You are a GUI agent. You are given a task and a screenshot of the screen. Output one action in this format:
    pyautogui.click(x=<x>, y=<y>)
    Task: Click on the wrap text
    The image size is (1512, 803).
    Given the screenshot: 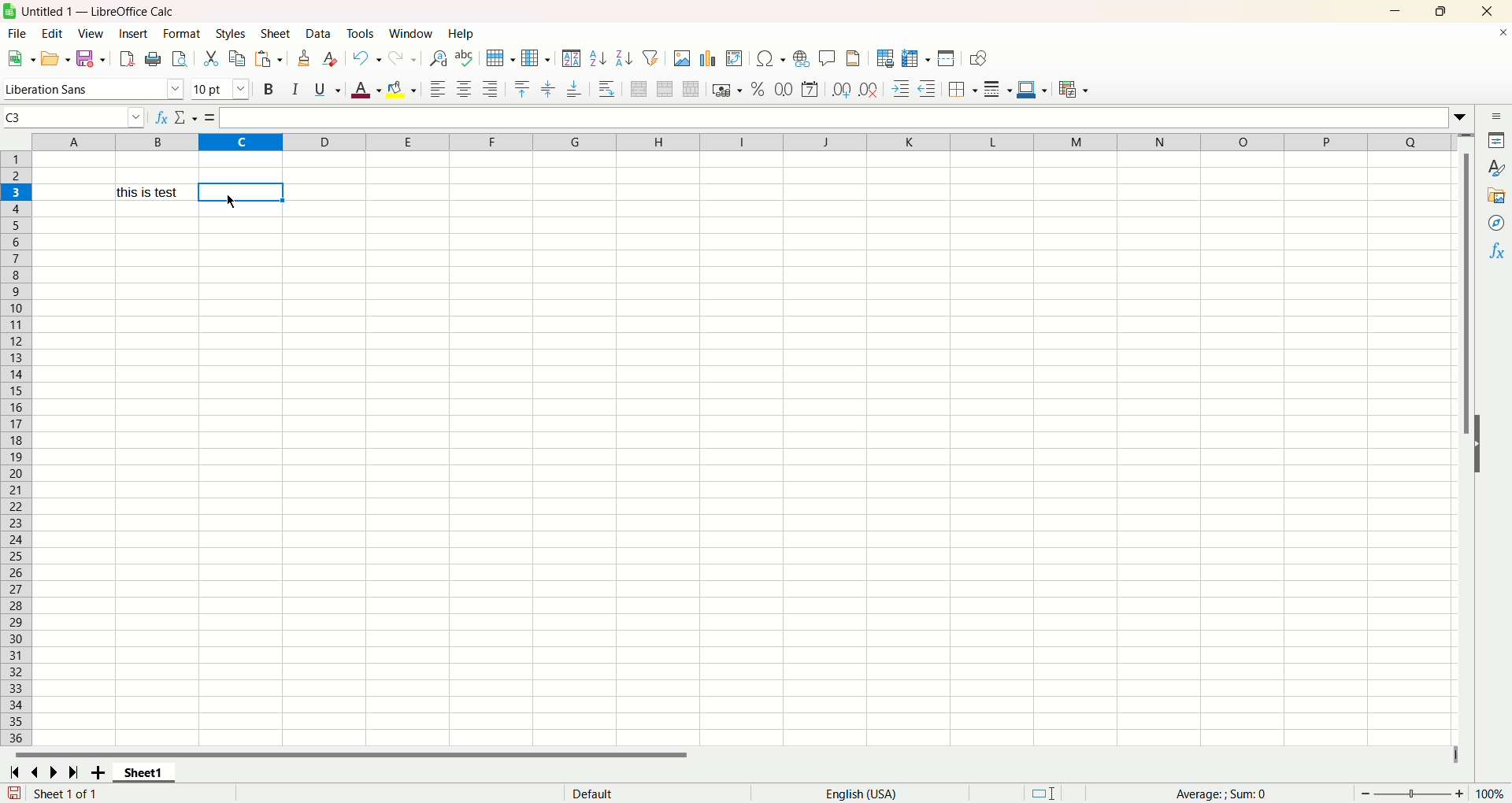 What is the action you would take?
    pyautogui.click(x=608, y=90)
    